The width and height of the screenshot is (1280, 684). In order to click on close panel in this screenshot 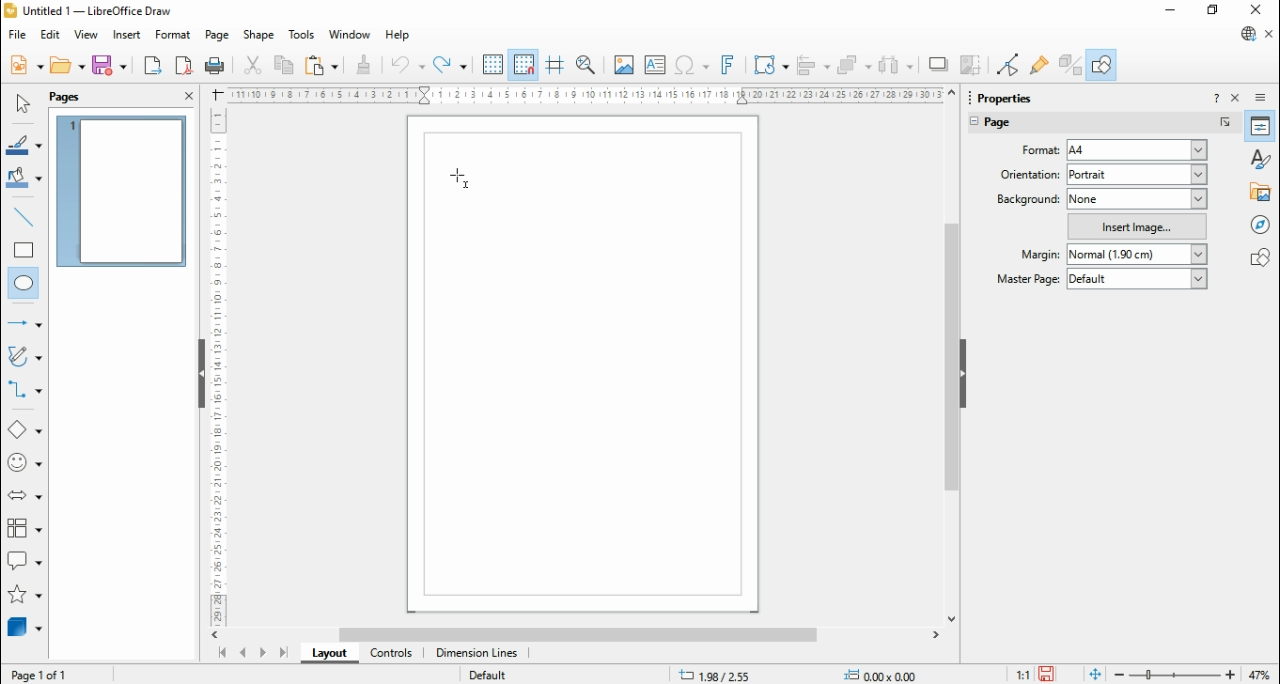, I will do `click(189, 95)`.